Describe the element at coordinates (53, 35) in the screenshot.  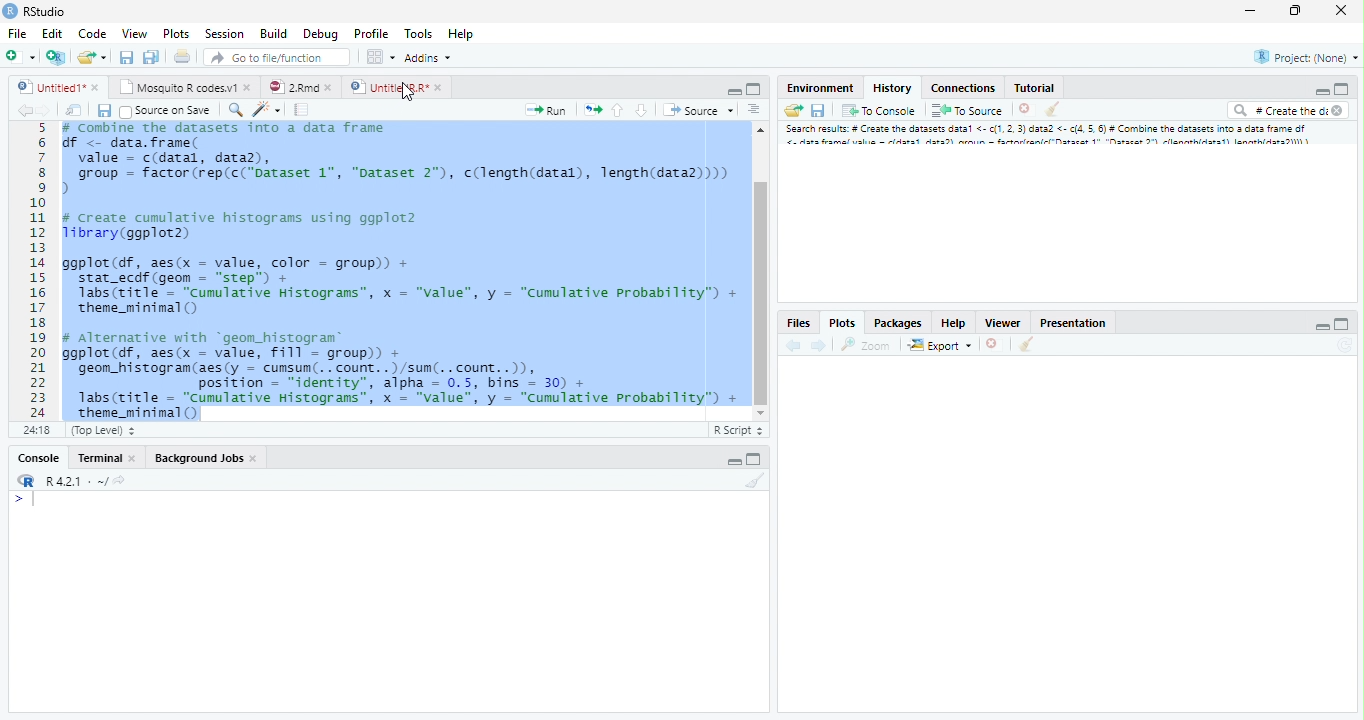
I see `Edit` at that location.